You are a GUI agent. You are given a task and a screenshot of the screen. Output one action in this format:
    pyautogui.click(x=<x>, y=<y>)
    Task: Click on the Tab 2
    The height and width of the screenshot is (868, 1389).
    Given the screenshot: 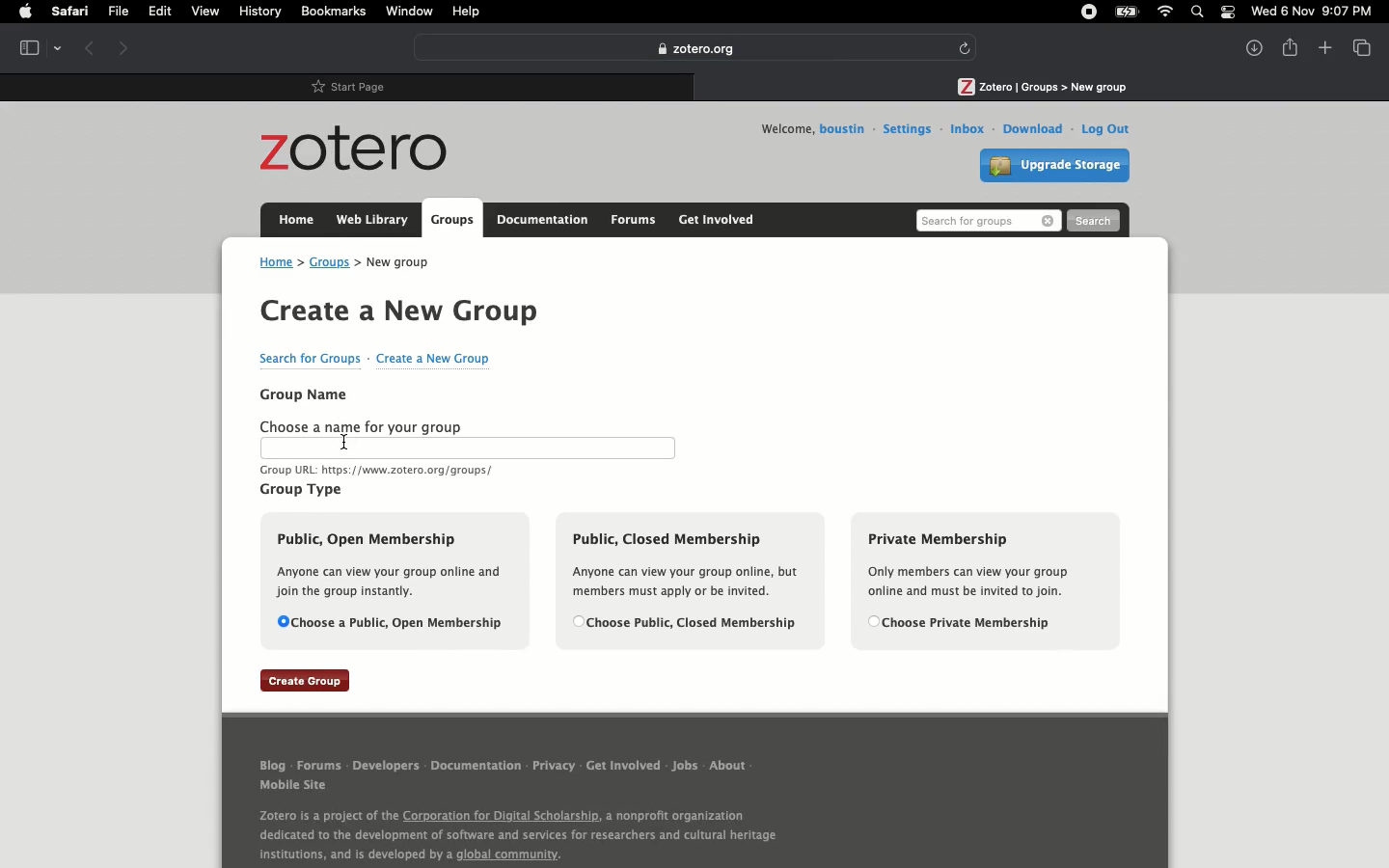 What is the action you would take?
    pyautogui.click(x=1040, y=84)
    